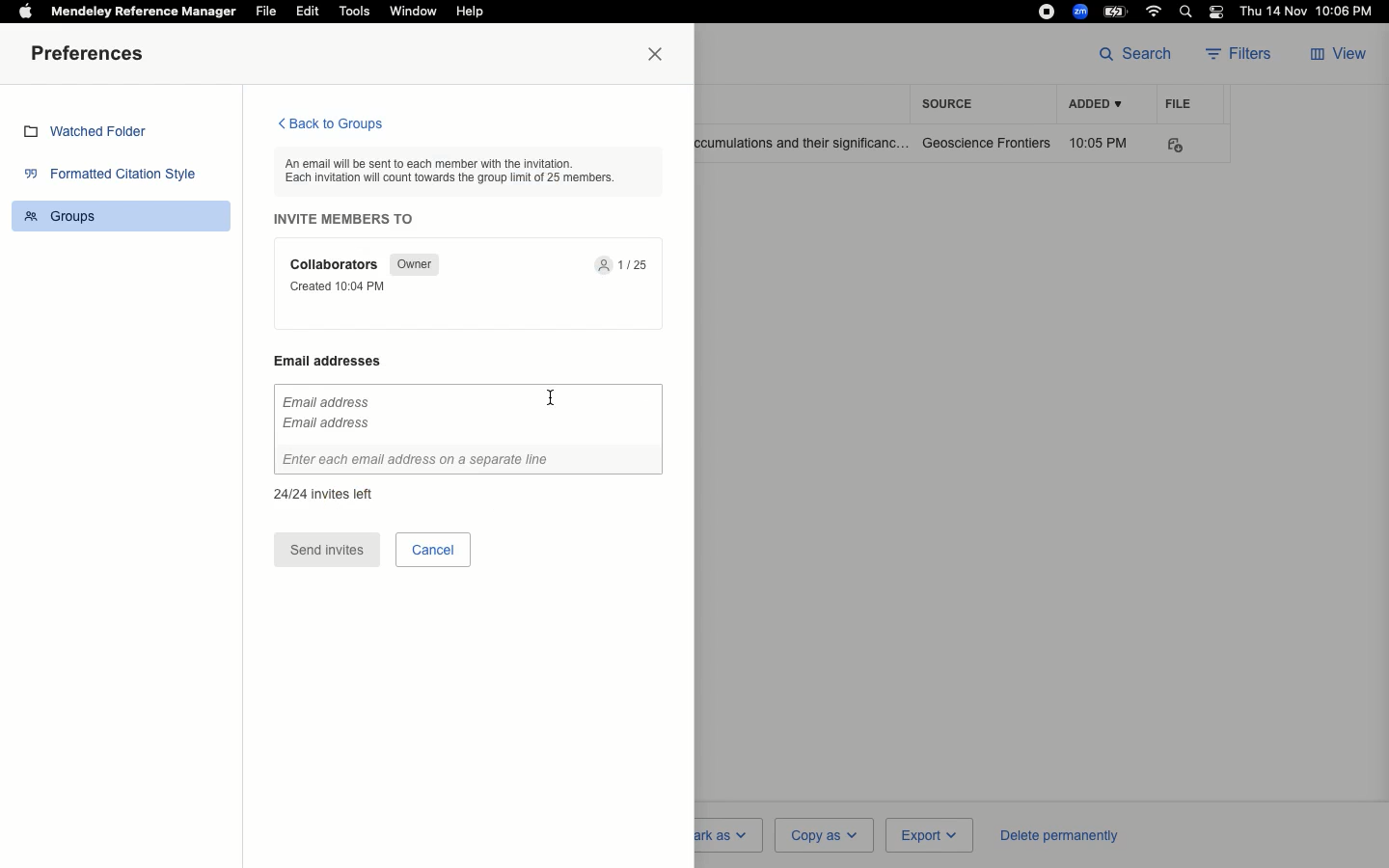 The height and width of the screenshot is (868, 1389). Describe the element at coordinates (92, 55) in the screenshot. I see `Preferences` at that location.